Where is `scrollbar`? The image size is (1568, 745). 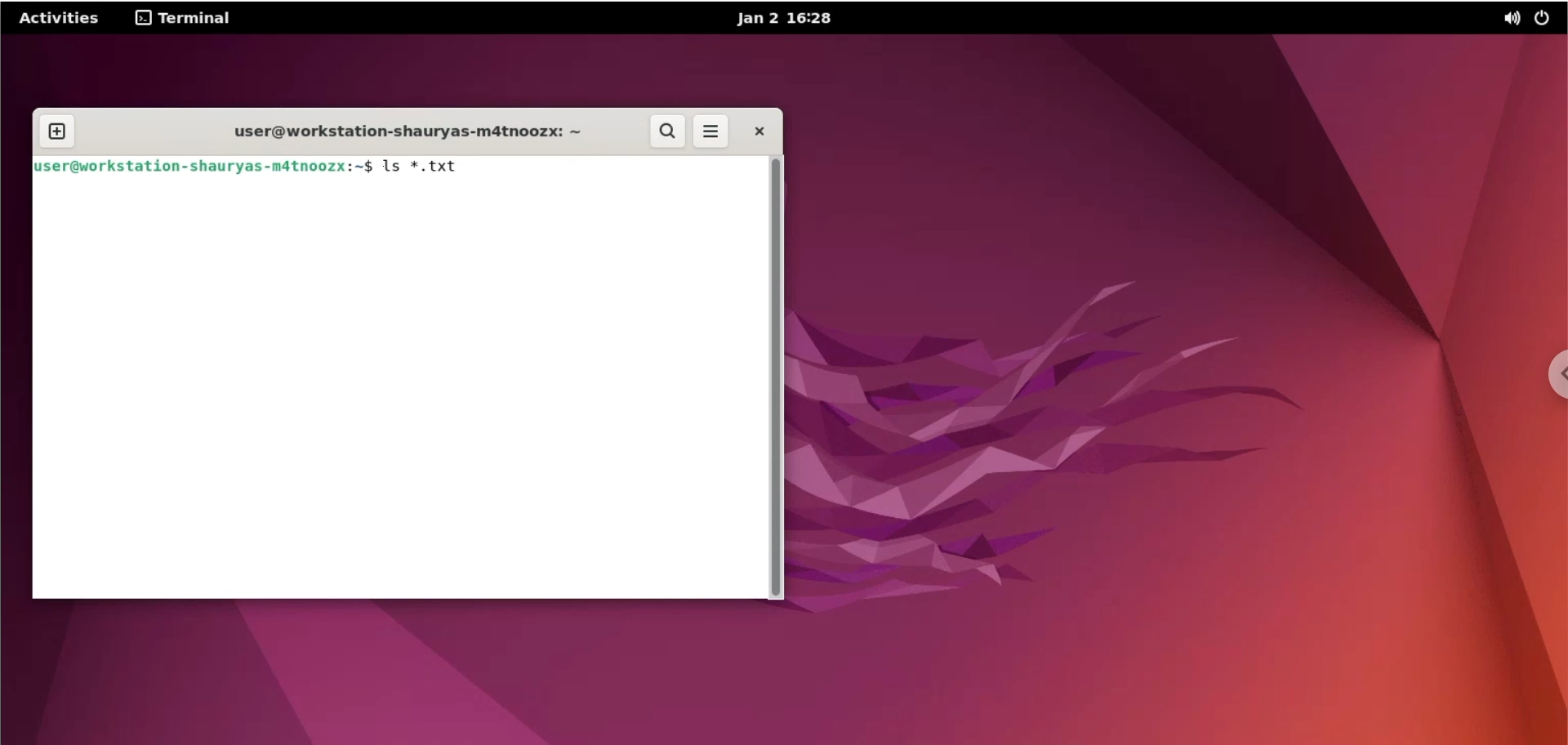
scrollbar is located at coordinates (777, 379).